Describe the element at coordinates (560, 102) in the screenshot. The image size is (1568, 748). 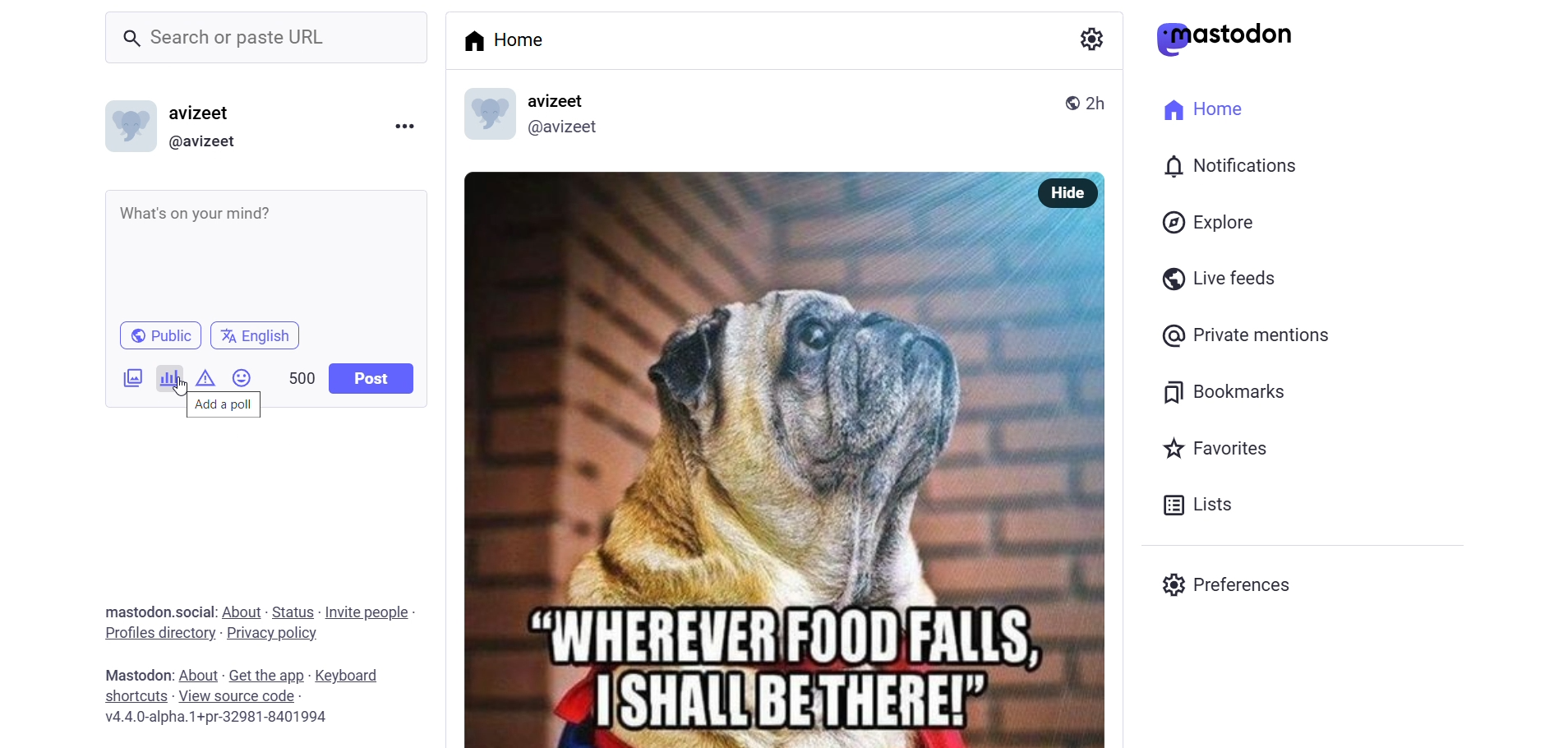
I see `avizeet` at that location.